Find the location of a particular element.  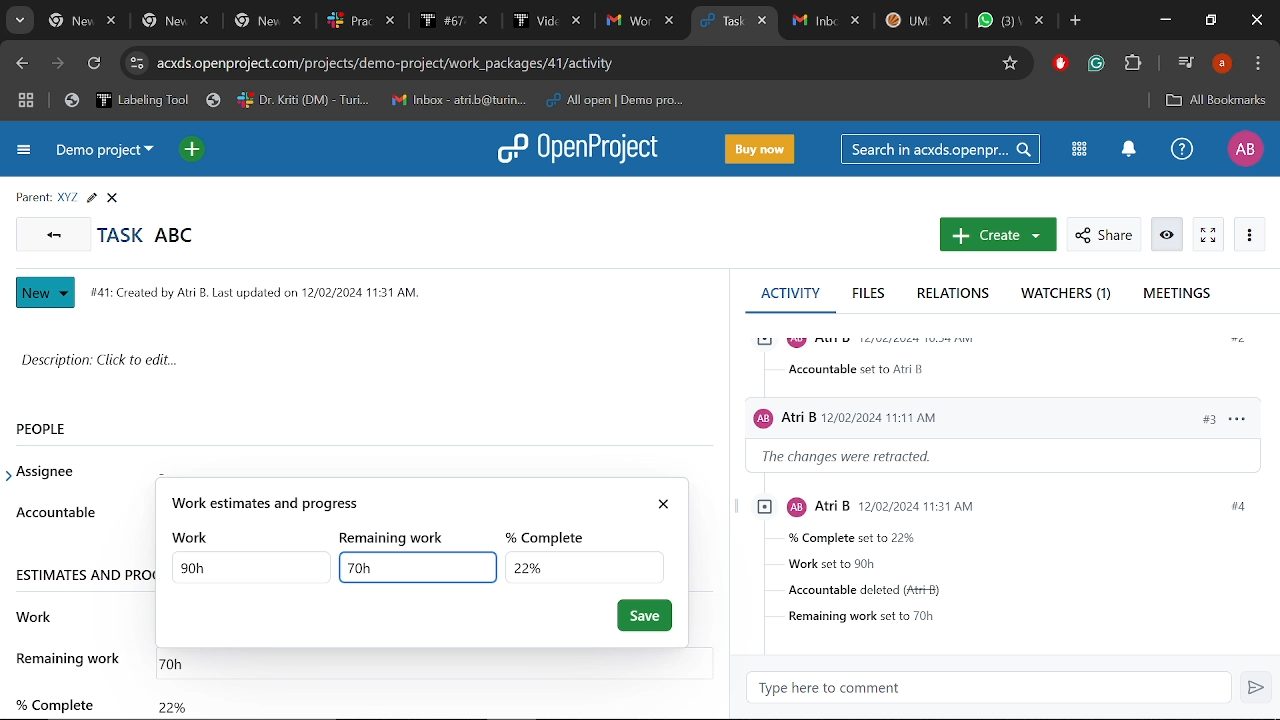

Remaining work is located at coordinates (181, 660).